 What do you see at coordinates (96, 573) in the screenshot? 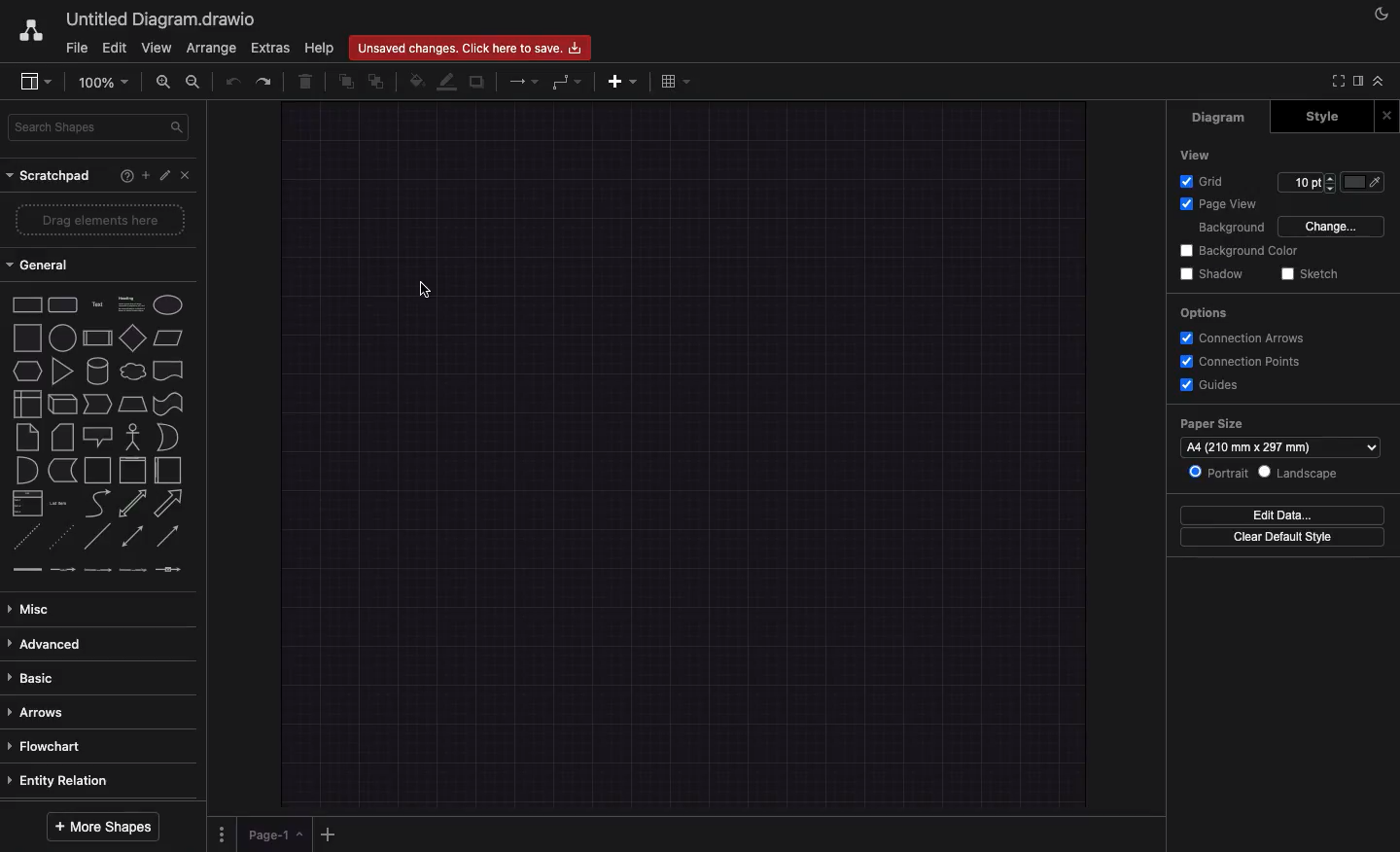
I see `connector with 2 label` at bounding box center [96, 573].